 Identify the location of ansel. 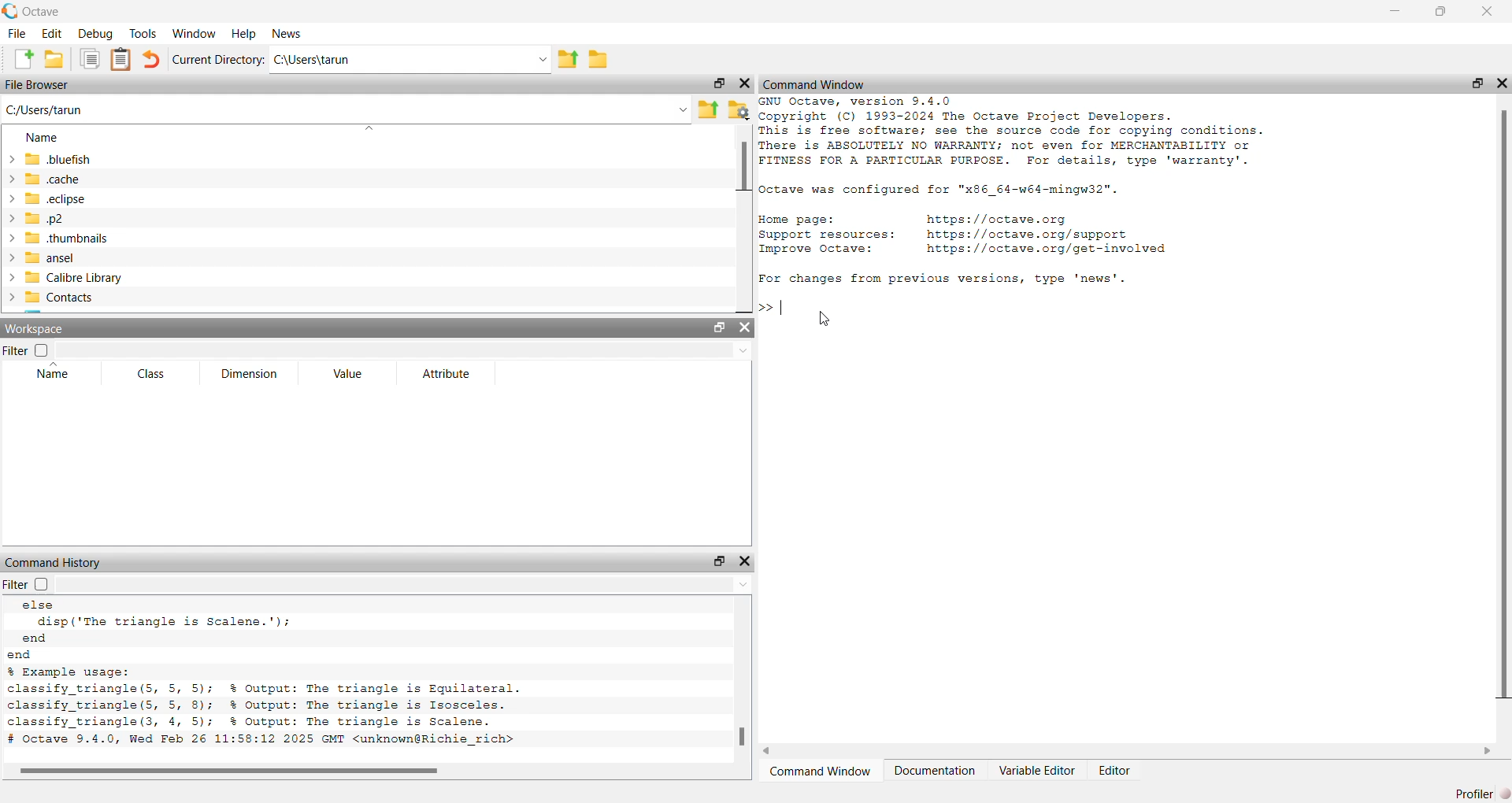
(67, 257).